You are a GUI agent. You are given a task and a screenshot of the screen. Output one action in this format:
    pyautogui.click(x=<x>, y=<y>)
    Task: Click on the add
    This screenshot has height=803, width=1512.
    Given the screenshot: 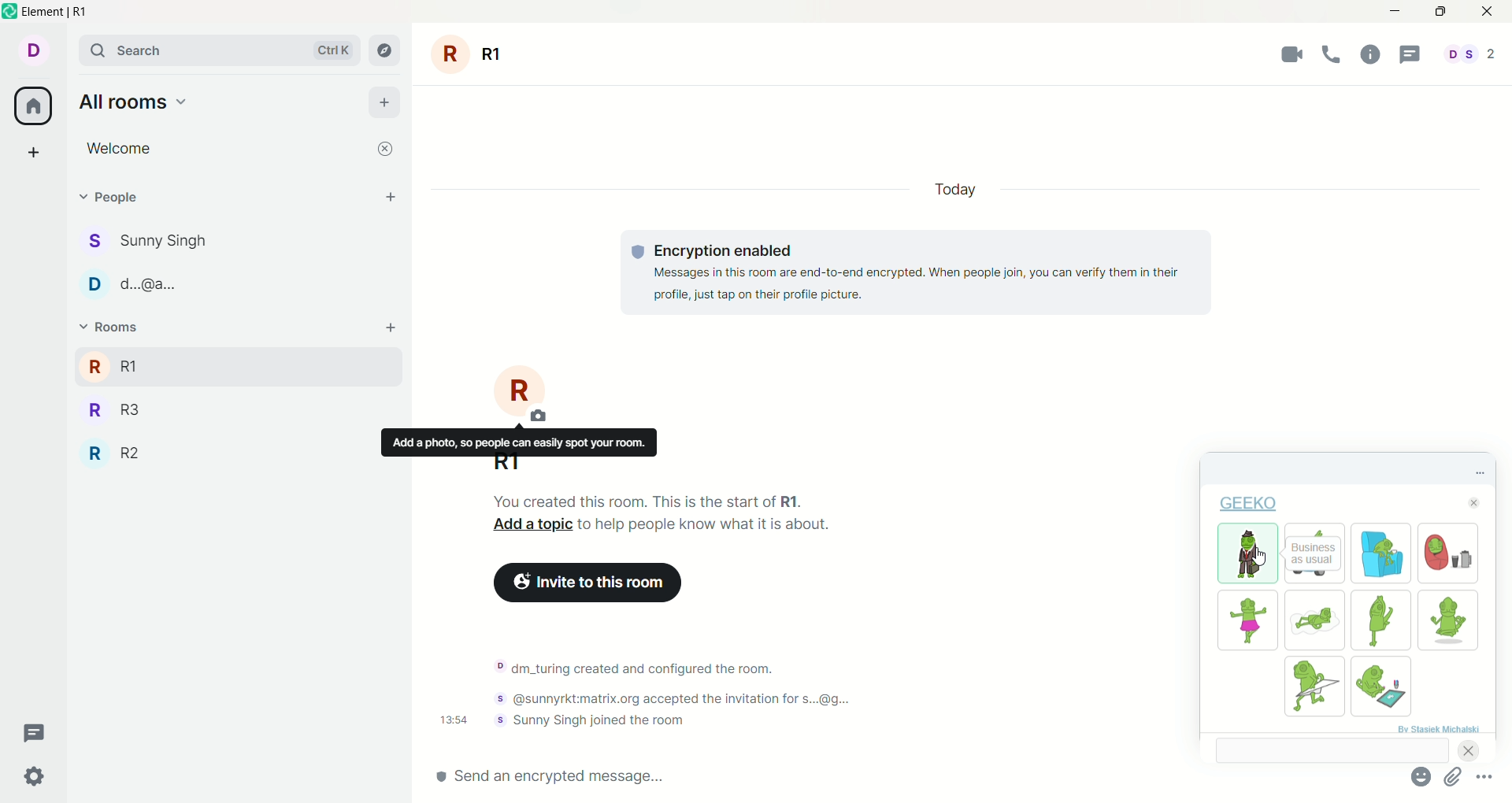 What is the action you would take?
    pyautogui.click(x=391, y=327)
    